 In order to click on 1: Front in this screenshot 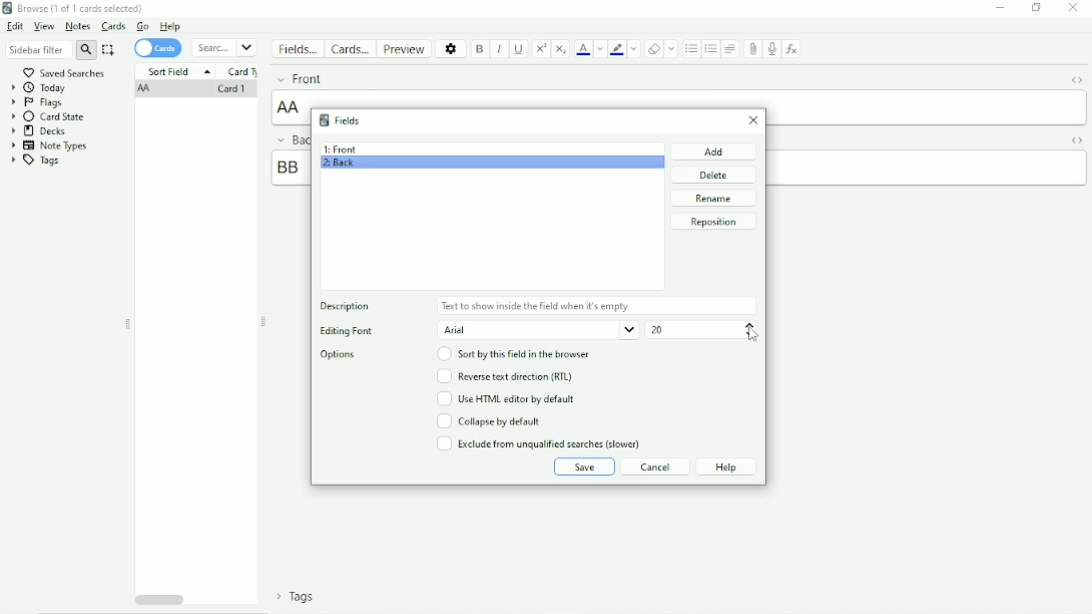, I will do `click(340, 149)`.